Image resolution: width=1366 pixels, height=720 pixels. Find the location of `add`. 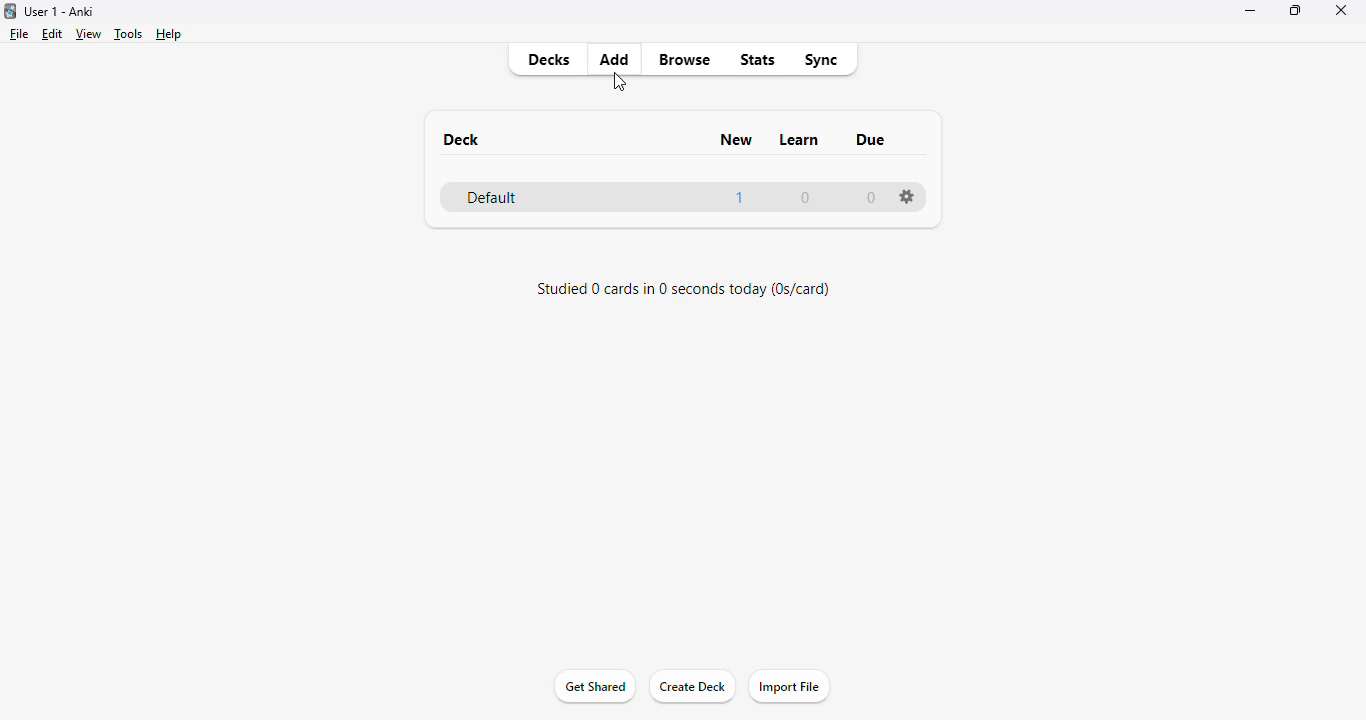

add is located at coordinates (616, 58).